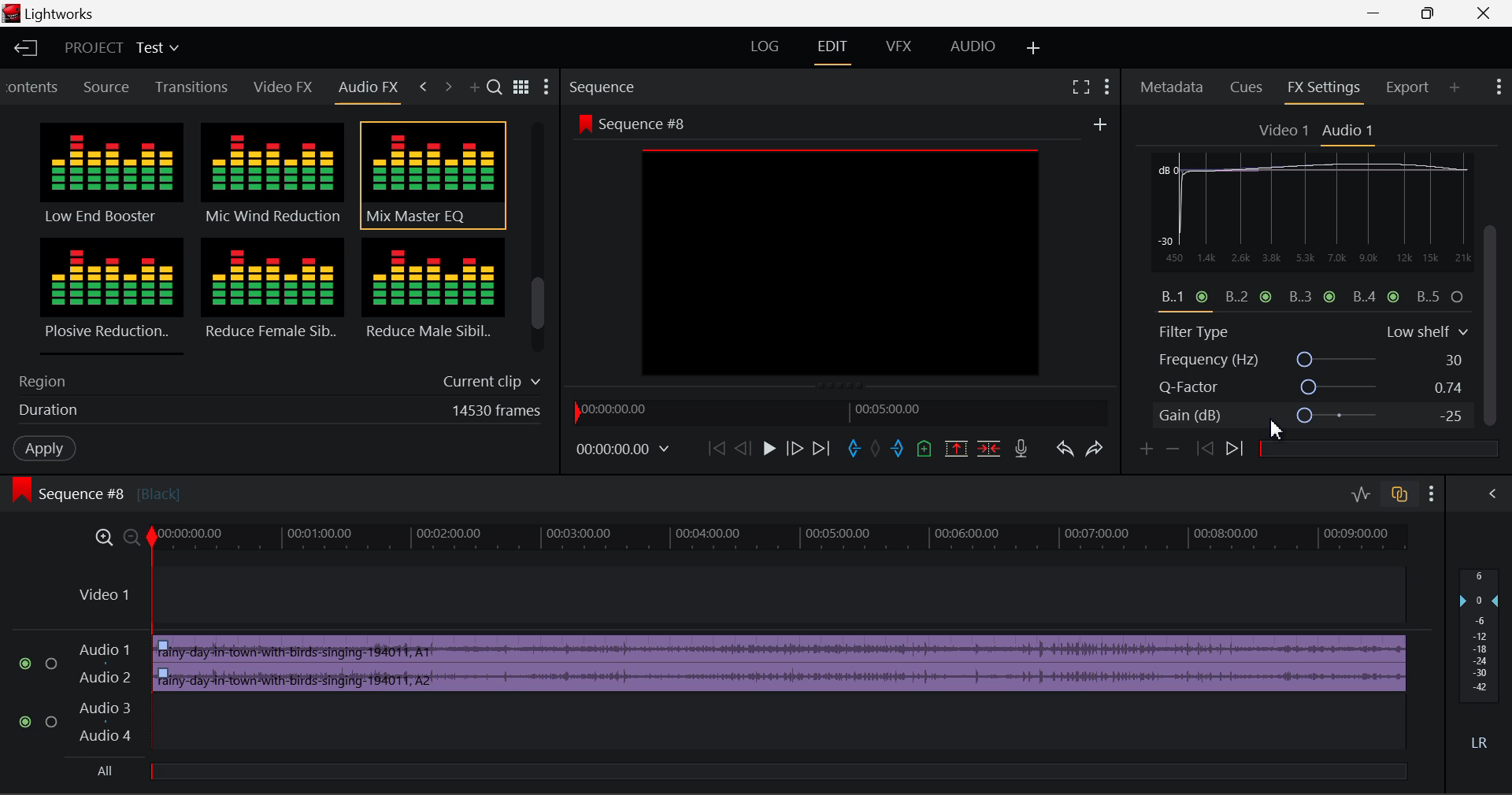  I want to click on Add Panel, so click(476, 89).